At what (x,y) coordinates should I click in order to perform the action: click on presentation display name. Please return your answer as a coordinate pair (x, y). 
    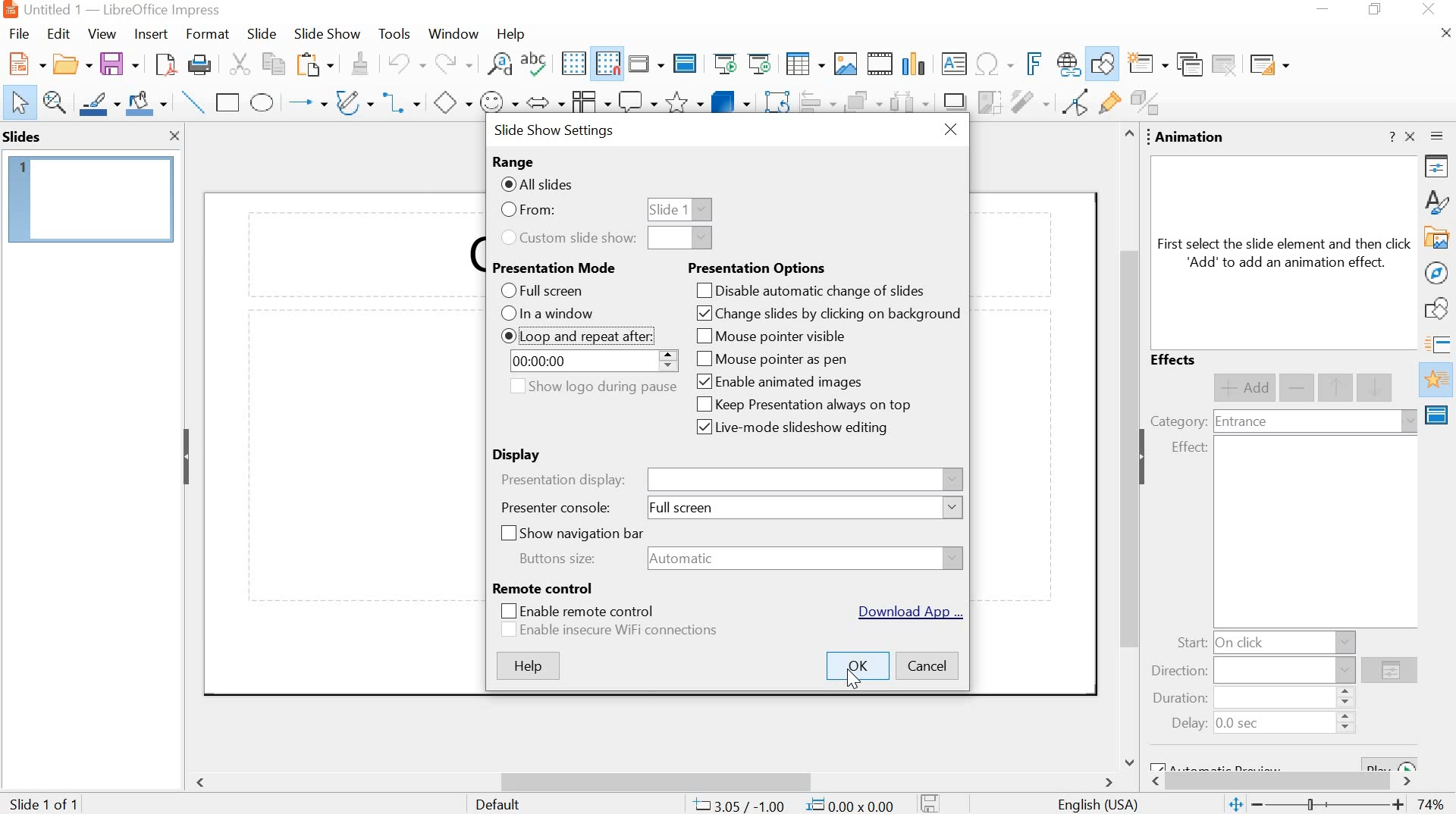
    Looking at the image, I should click on (805, 481).